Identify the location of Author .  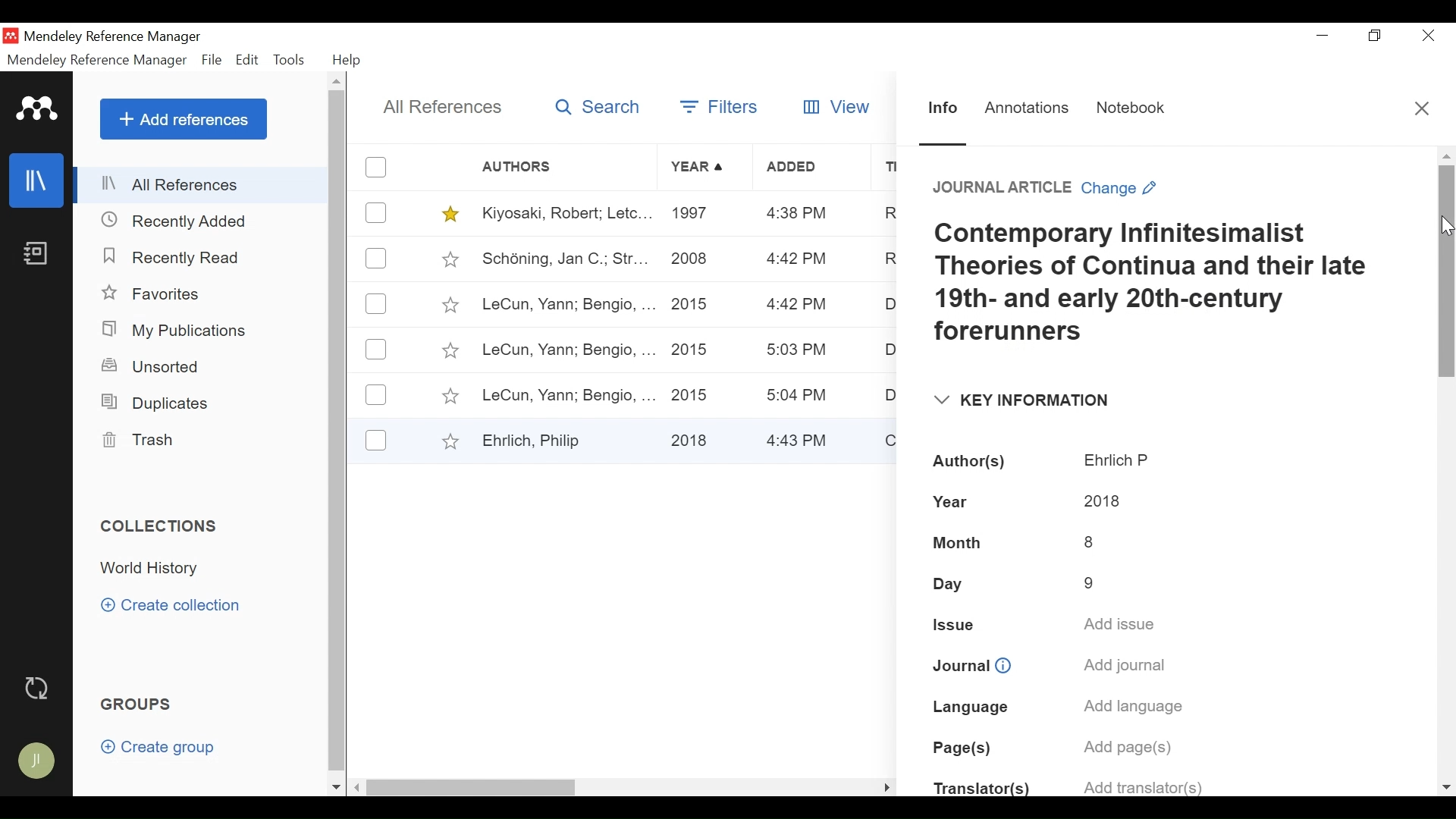
(567, 167).